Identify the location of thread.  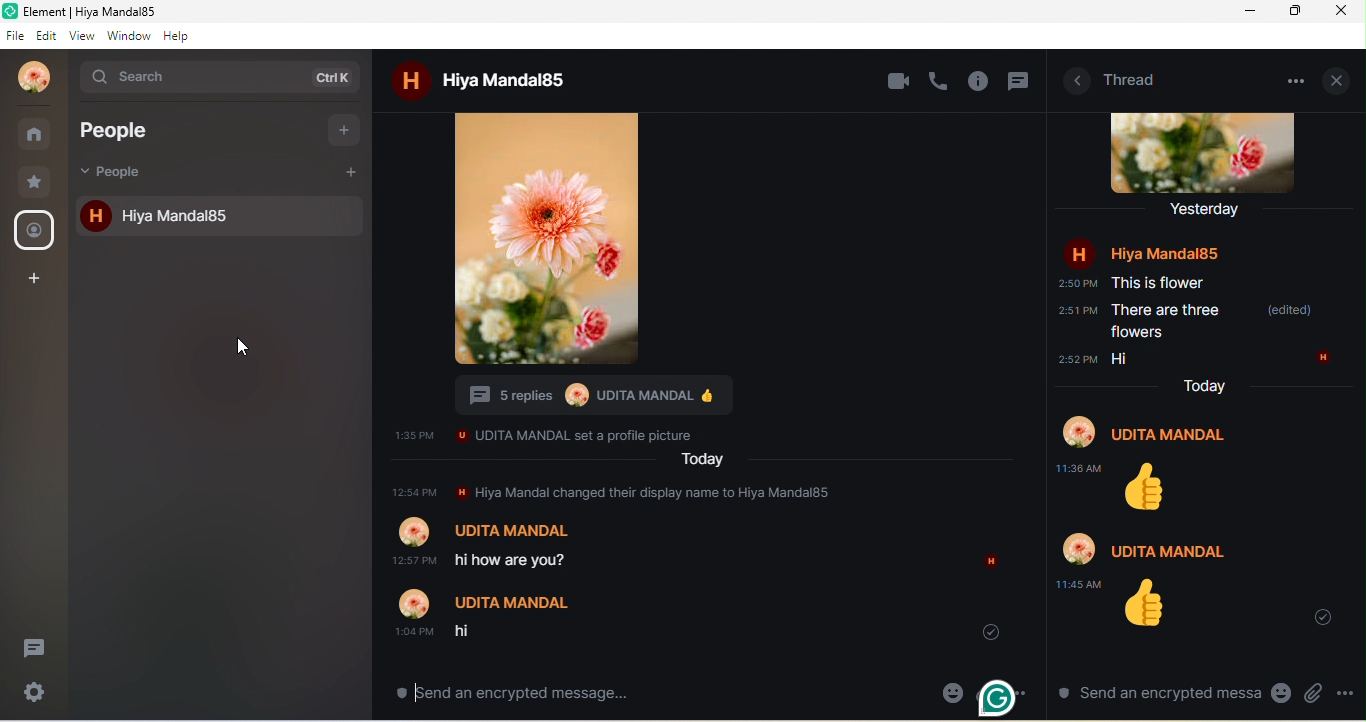
(1020, 83).